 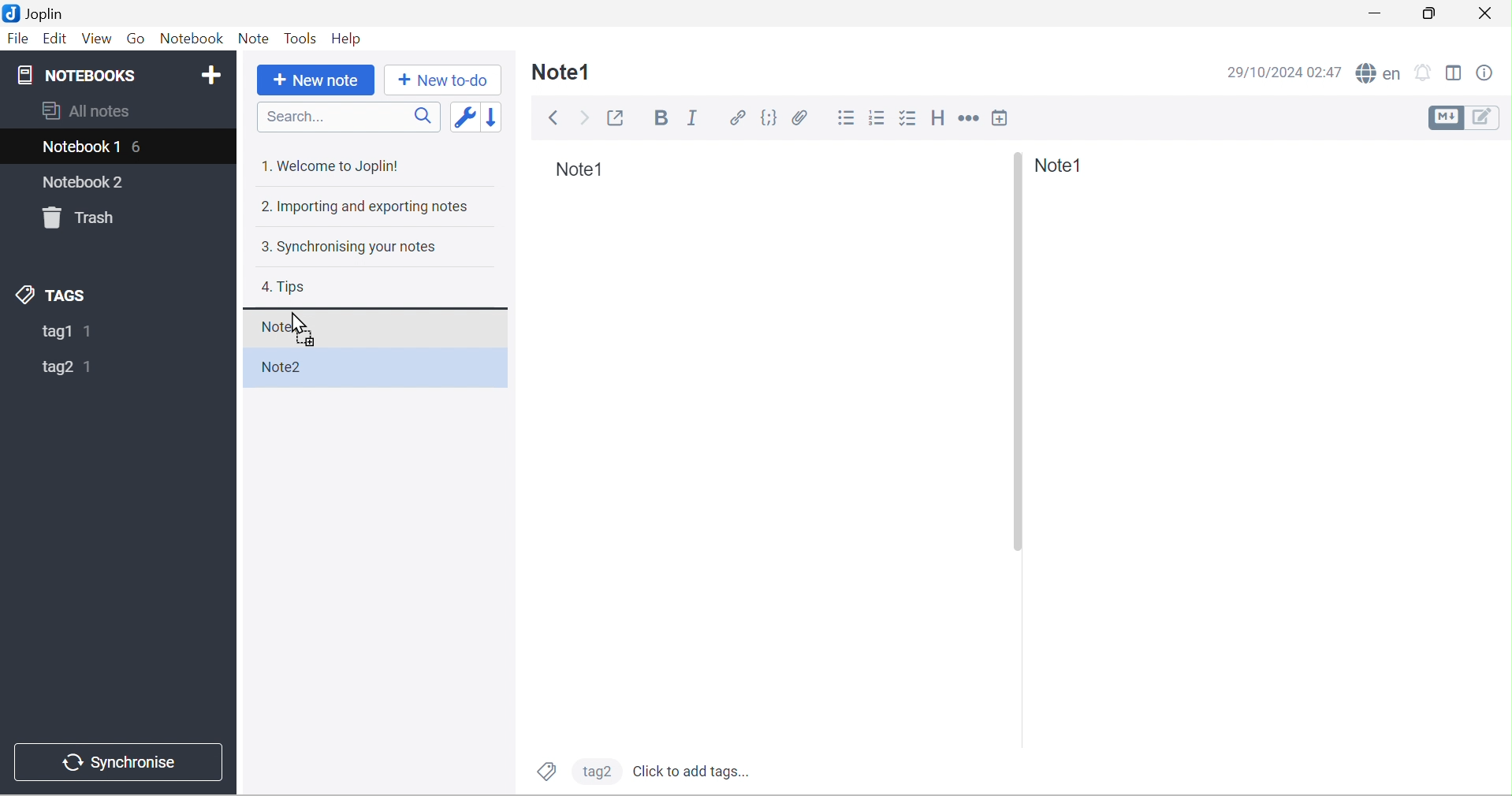 I want to click on +New Note, so click(x=315, y=82).